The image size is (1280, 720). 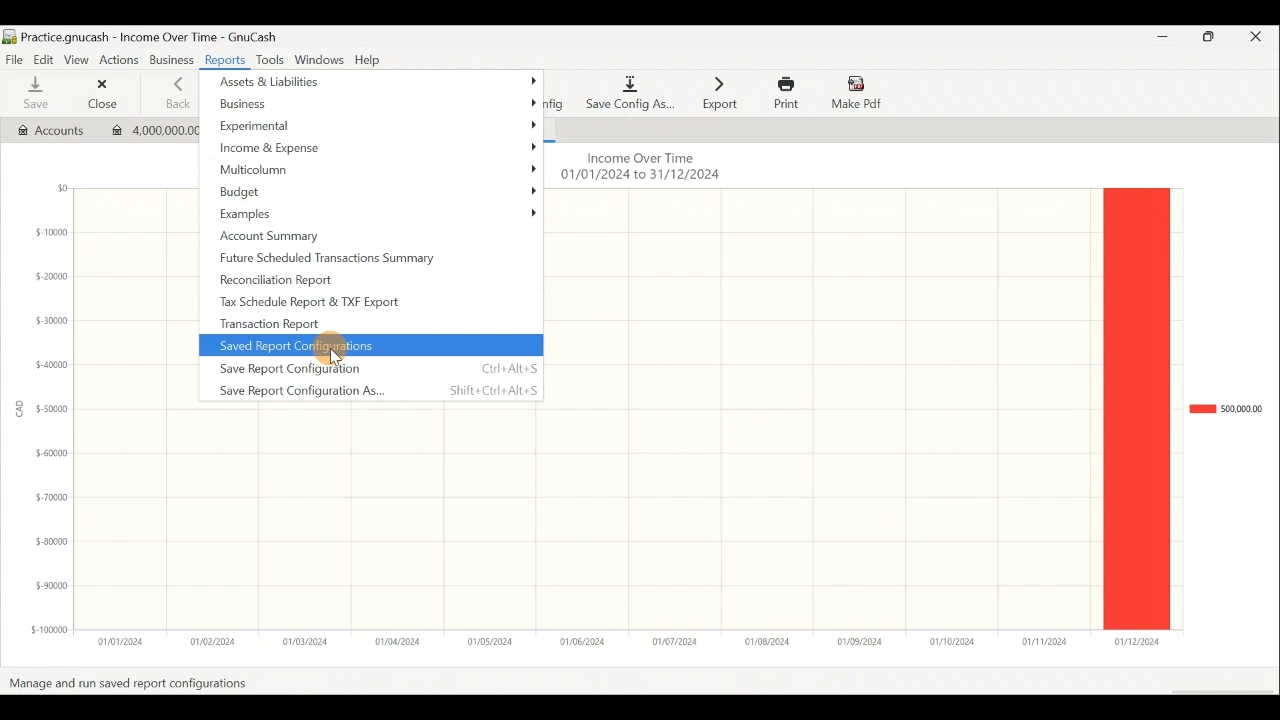 What do you see at coordinates (373, 126) in the screenshot?
I see `Experimental` at bounding box center [373, 126].